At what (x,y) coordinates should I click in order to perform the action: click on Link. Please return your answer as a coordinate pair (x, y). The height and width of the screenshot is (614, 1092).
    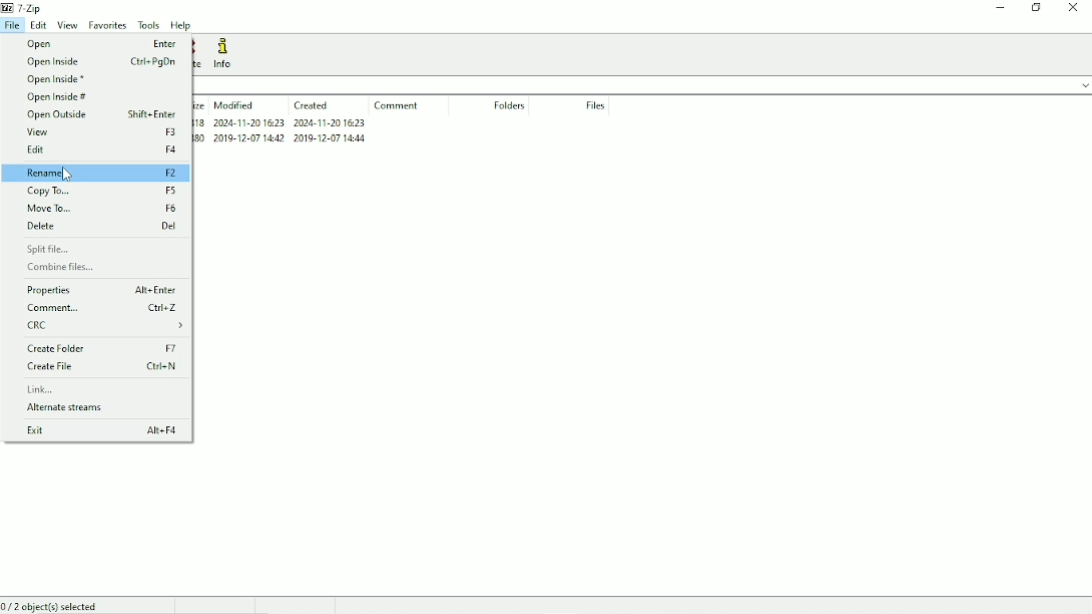
    Looking at the image, I should click on (43, 389).